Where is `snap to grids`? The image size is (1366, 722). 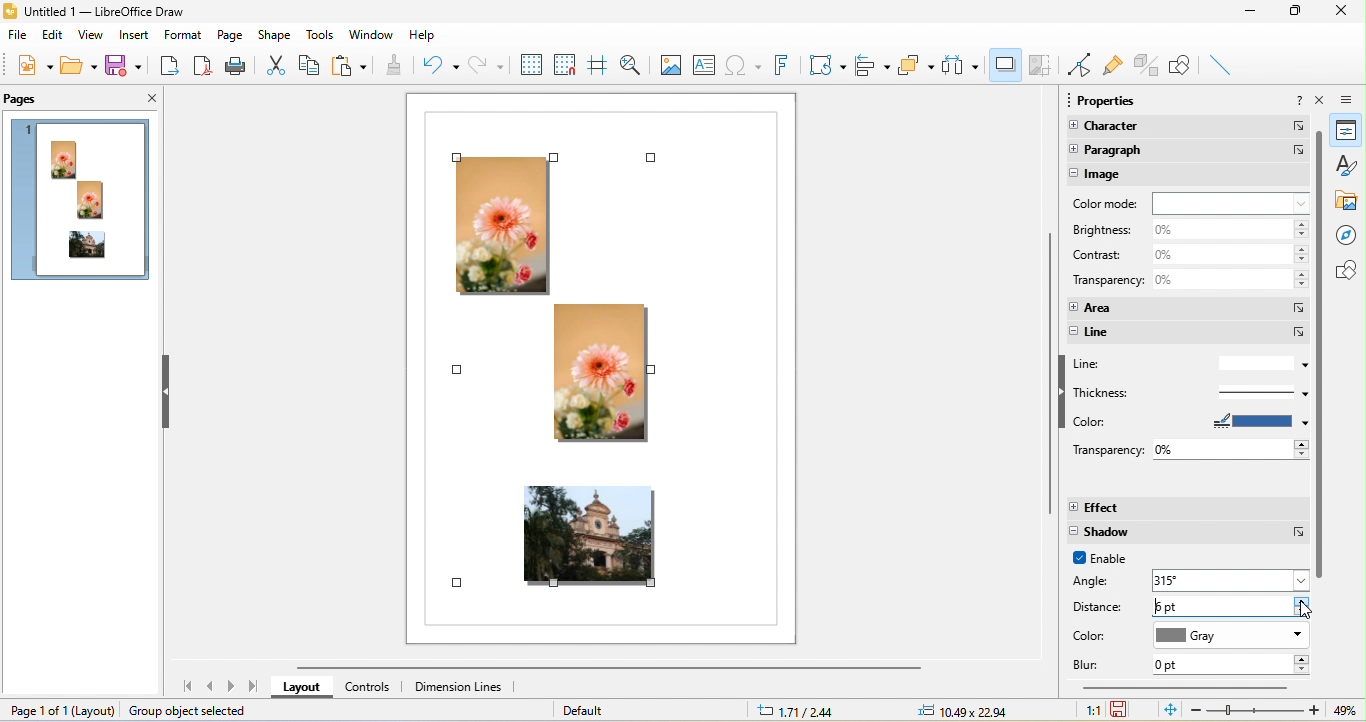
snap to grids is located at coordinates (565, 63).